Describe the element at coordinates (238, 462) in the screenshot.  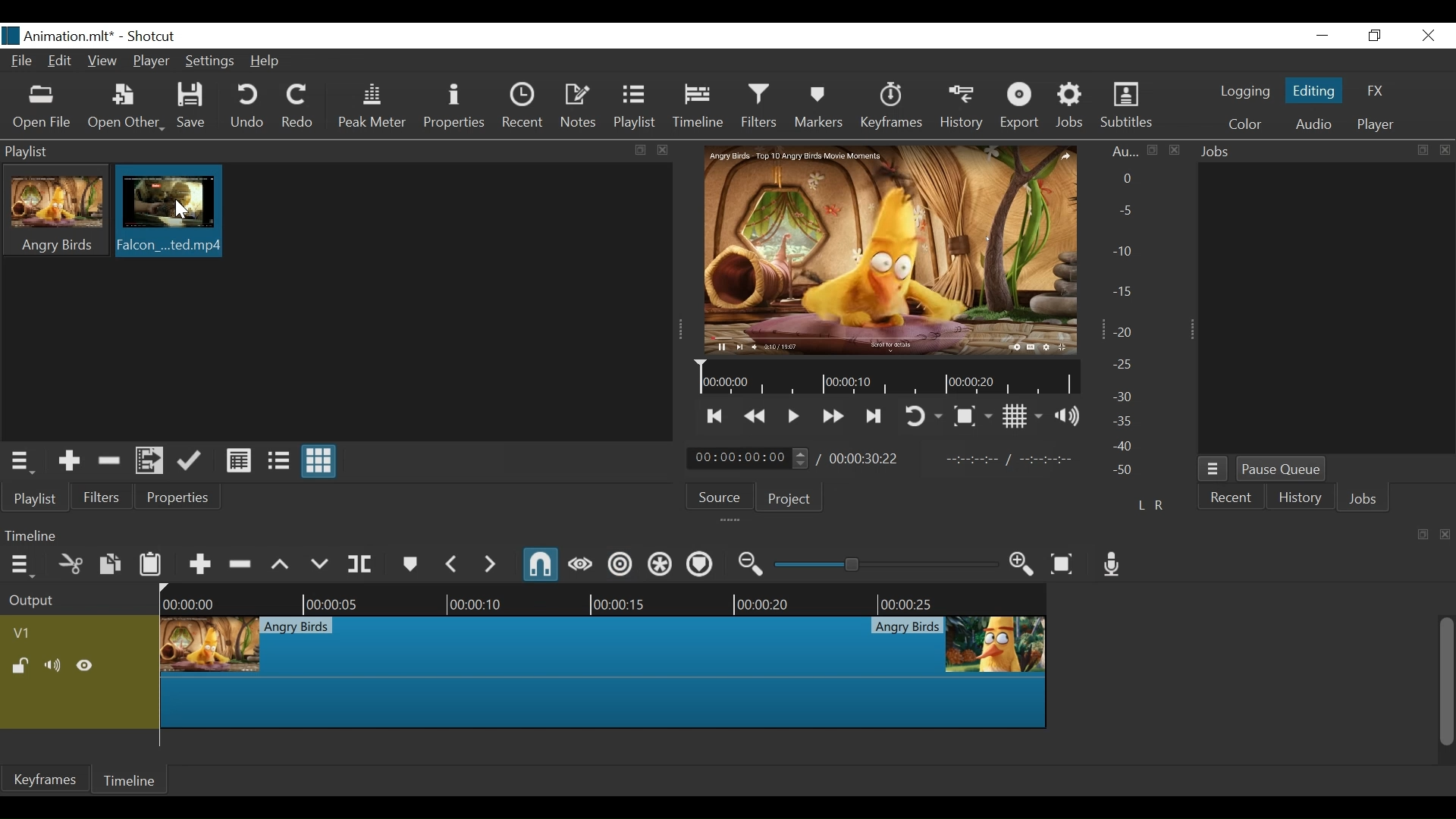
I see `View as Detail` at that location.